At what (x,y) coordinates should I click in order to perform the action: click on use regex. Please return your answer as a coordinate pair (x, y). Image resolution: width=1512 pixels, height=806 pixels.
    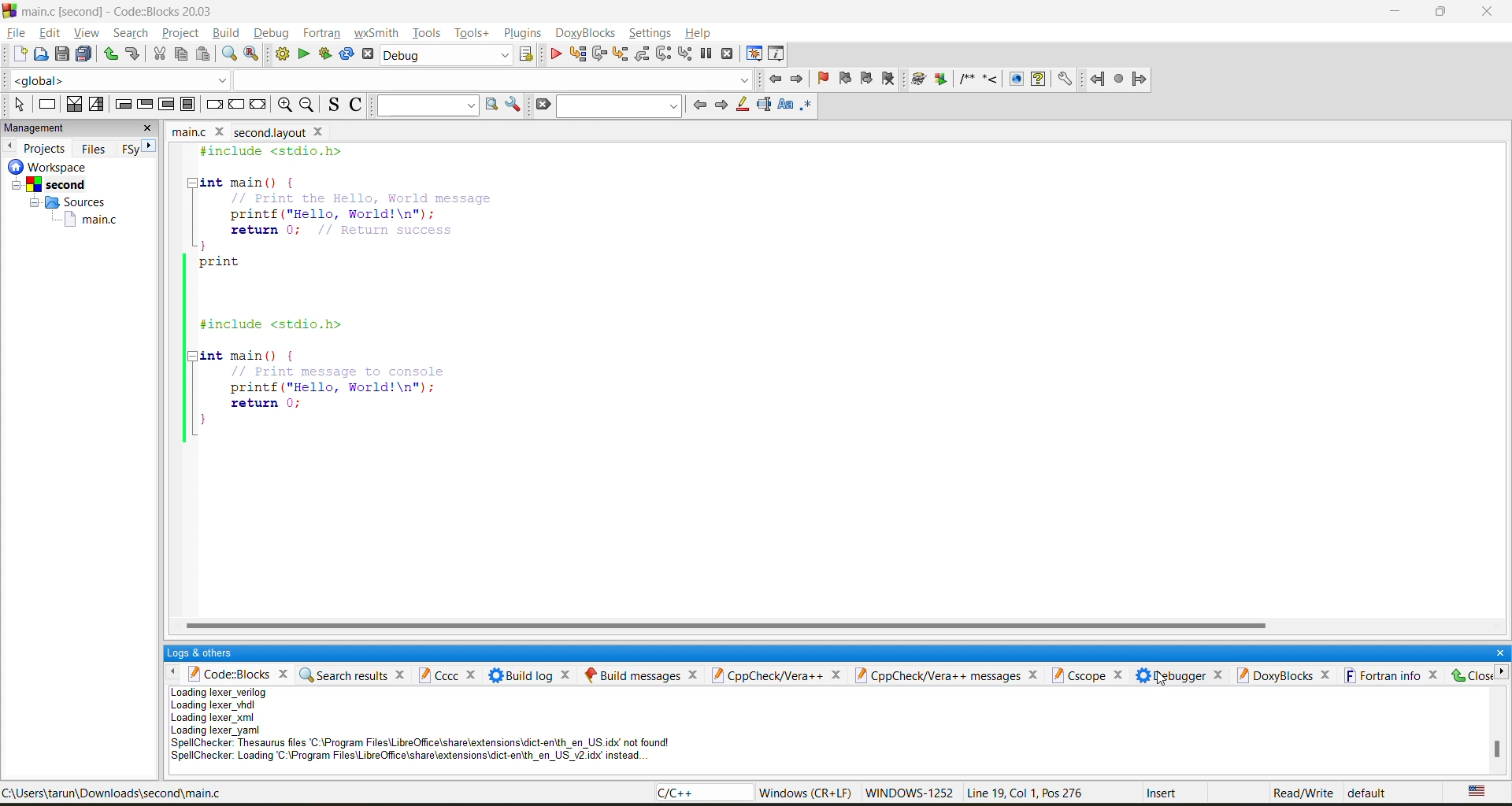
    Looking at the image, I should click on (808, 109).